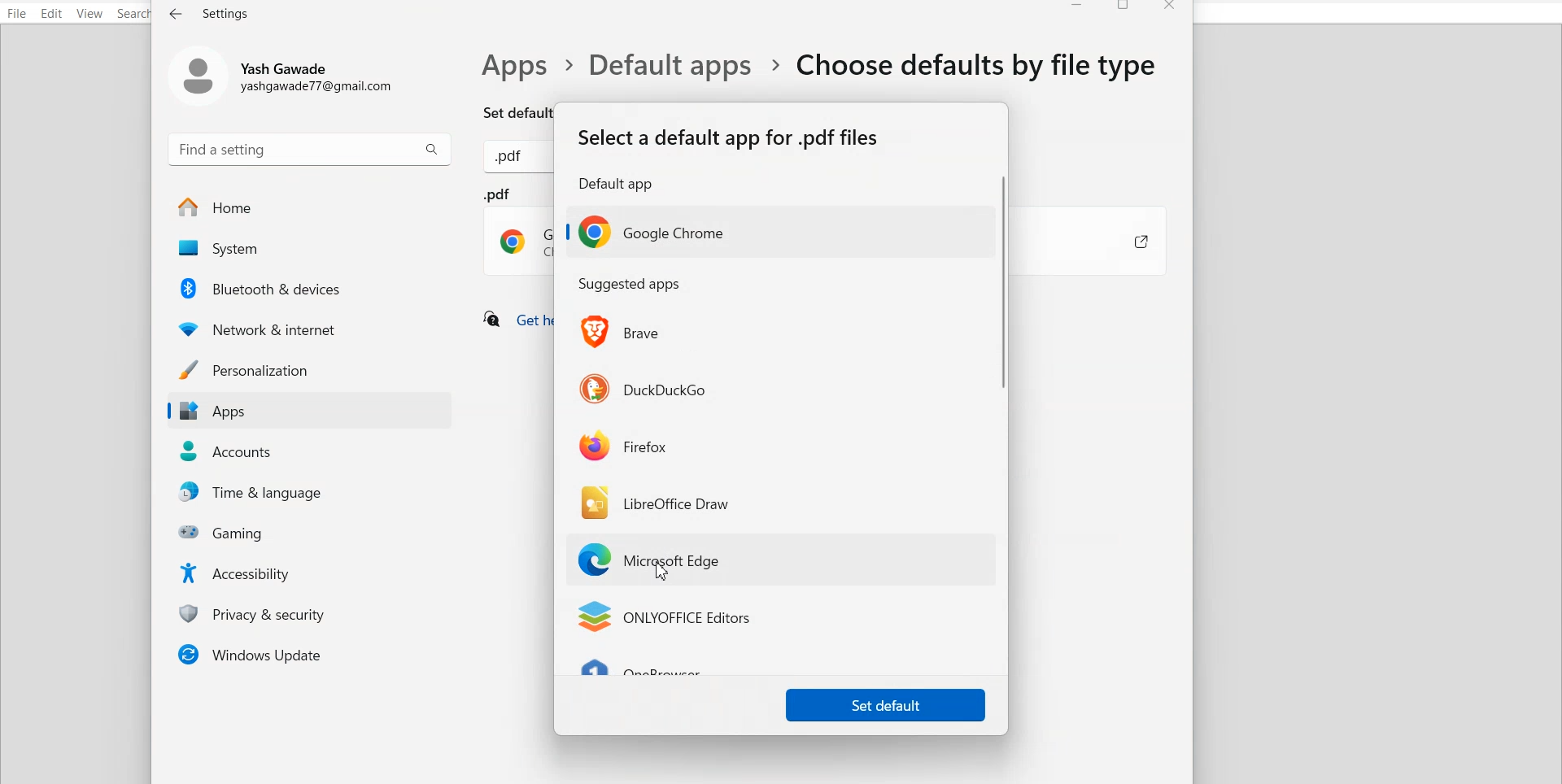  I want to click on Text, so click(211, 13).